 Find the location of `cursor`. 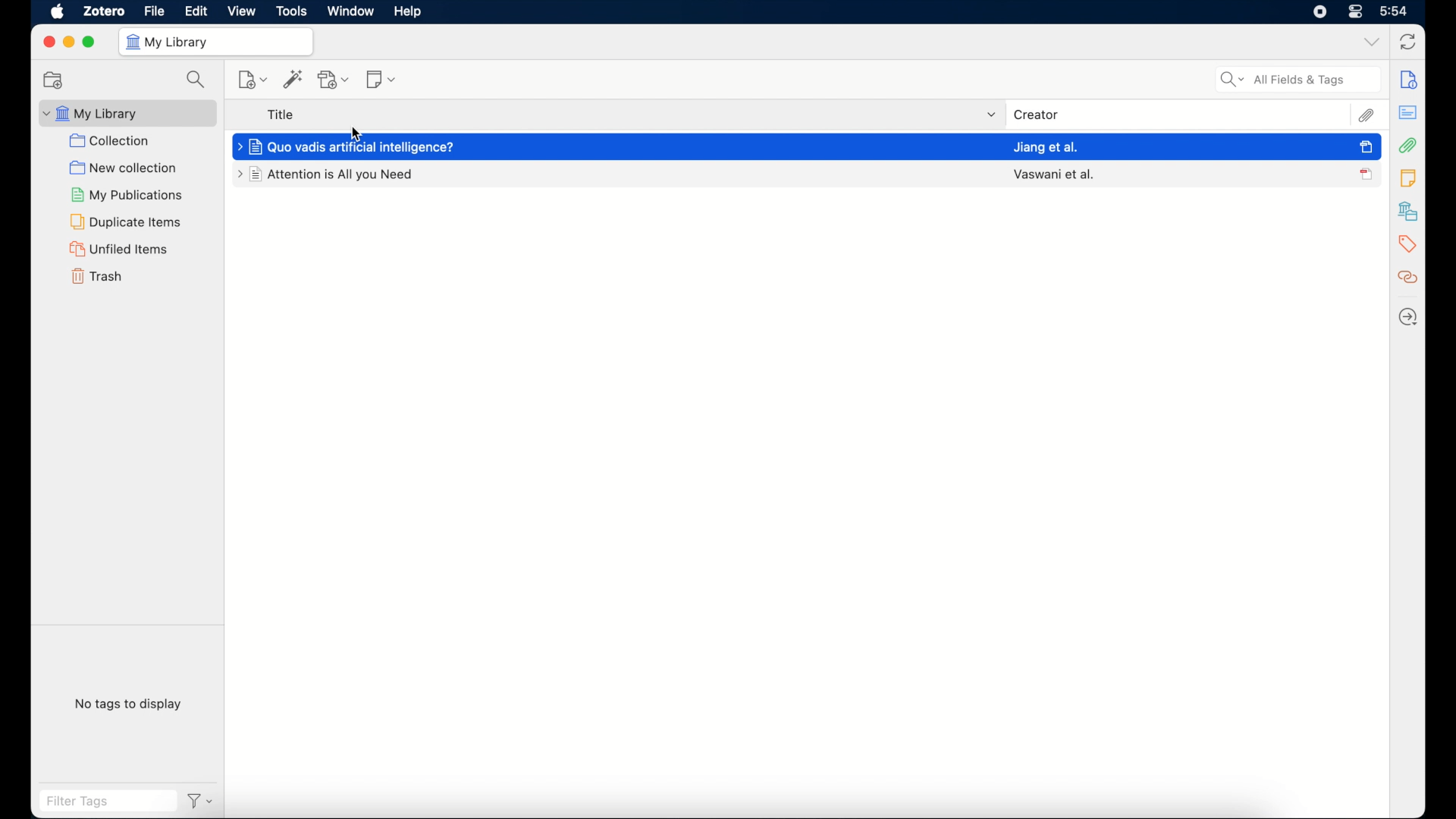

cursor is located at coordinates (355, 134).